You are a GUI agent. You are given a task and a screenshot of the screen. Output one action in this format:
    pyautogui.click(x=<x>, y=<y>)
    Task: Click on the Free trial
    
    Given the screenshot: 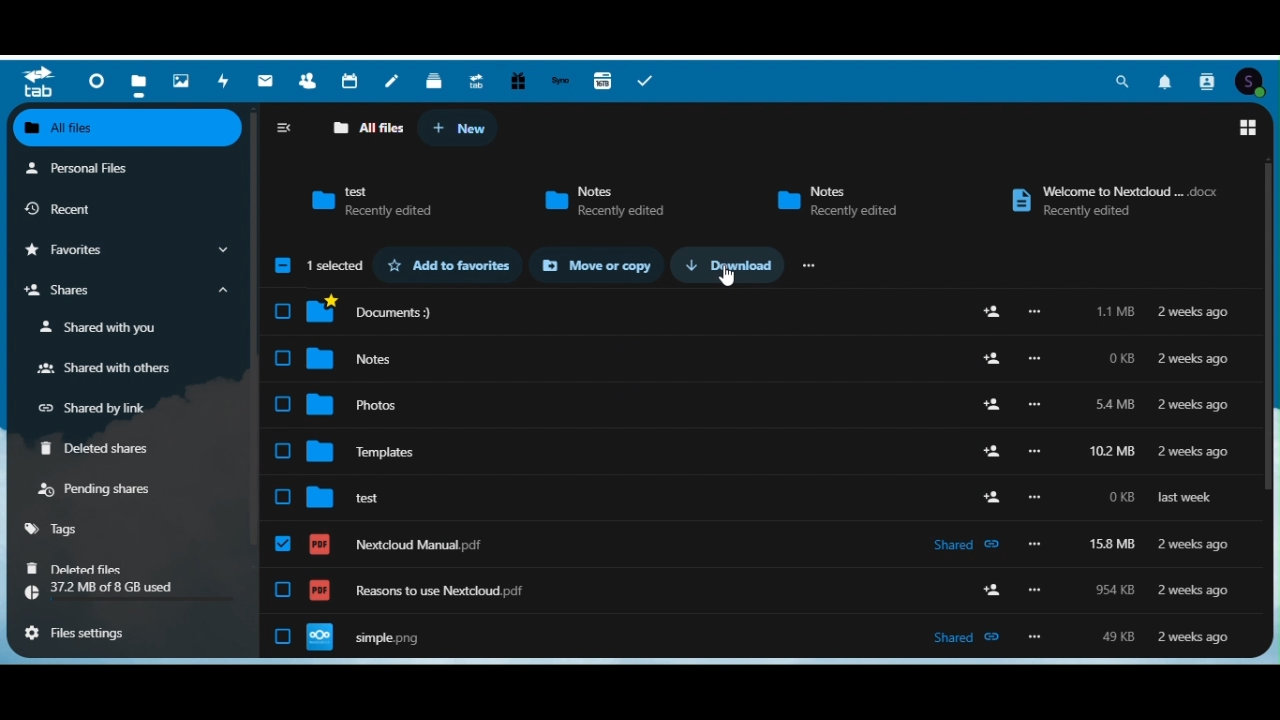 What is the action you would take?
    pyautogui.click(x=515, y=80)
    